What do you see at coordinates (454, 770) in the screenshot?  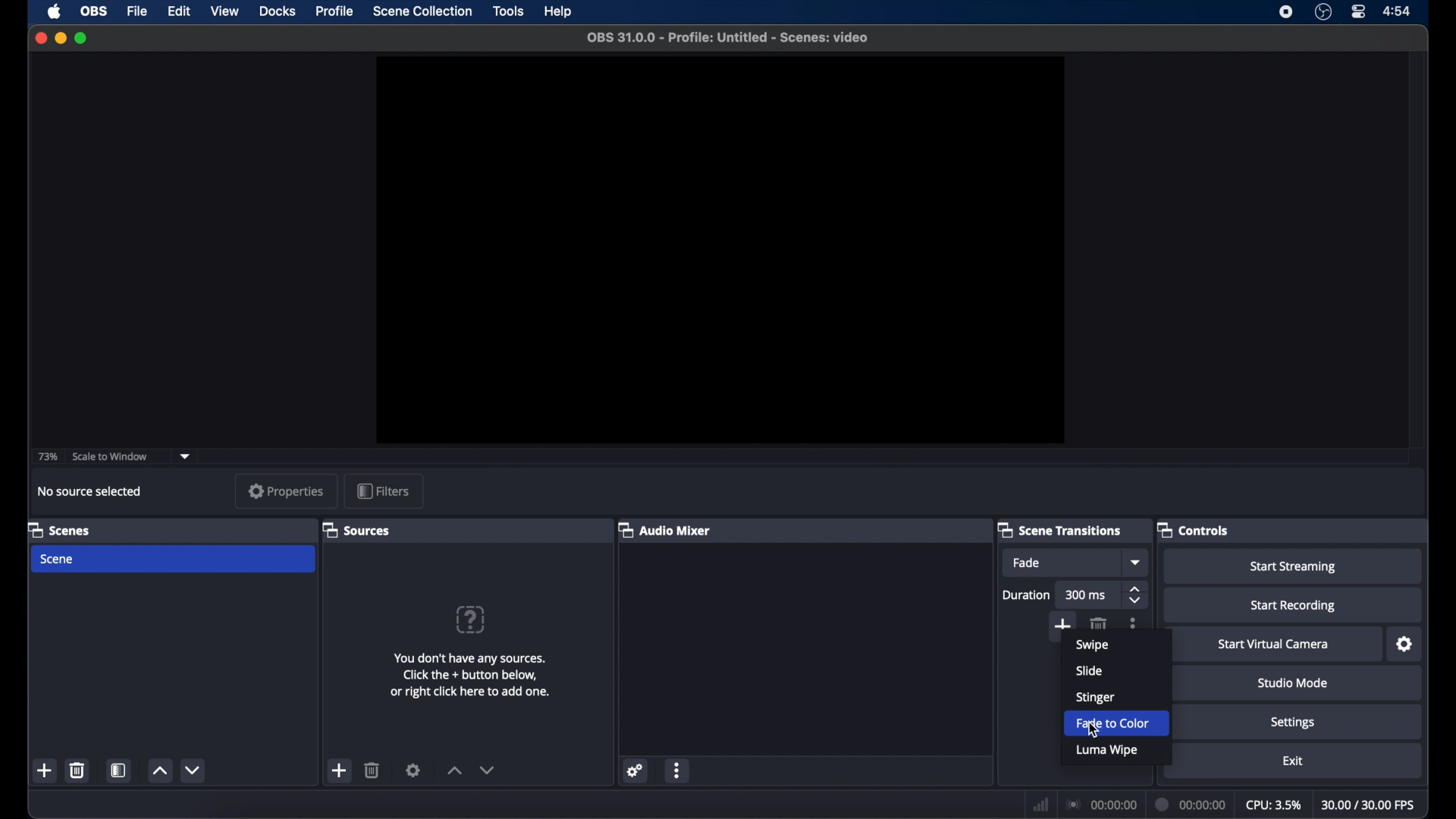 I see `increment` at bounding box center [454, 770].